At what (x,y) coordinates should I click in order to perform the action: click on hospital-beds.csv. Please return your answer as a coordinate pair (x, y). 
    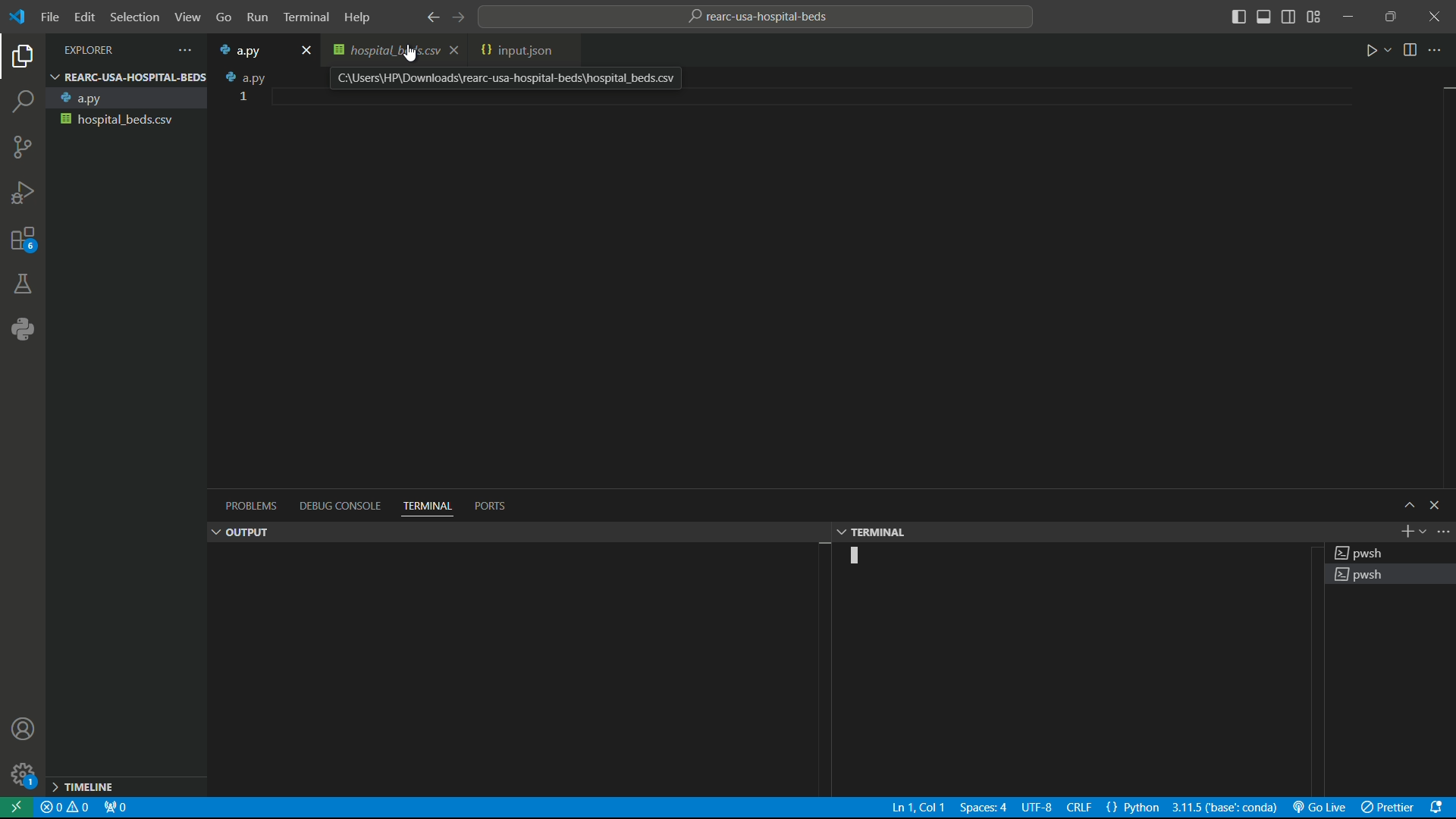
    Looking at the image, I should click on (127, 120).